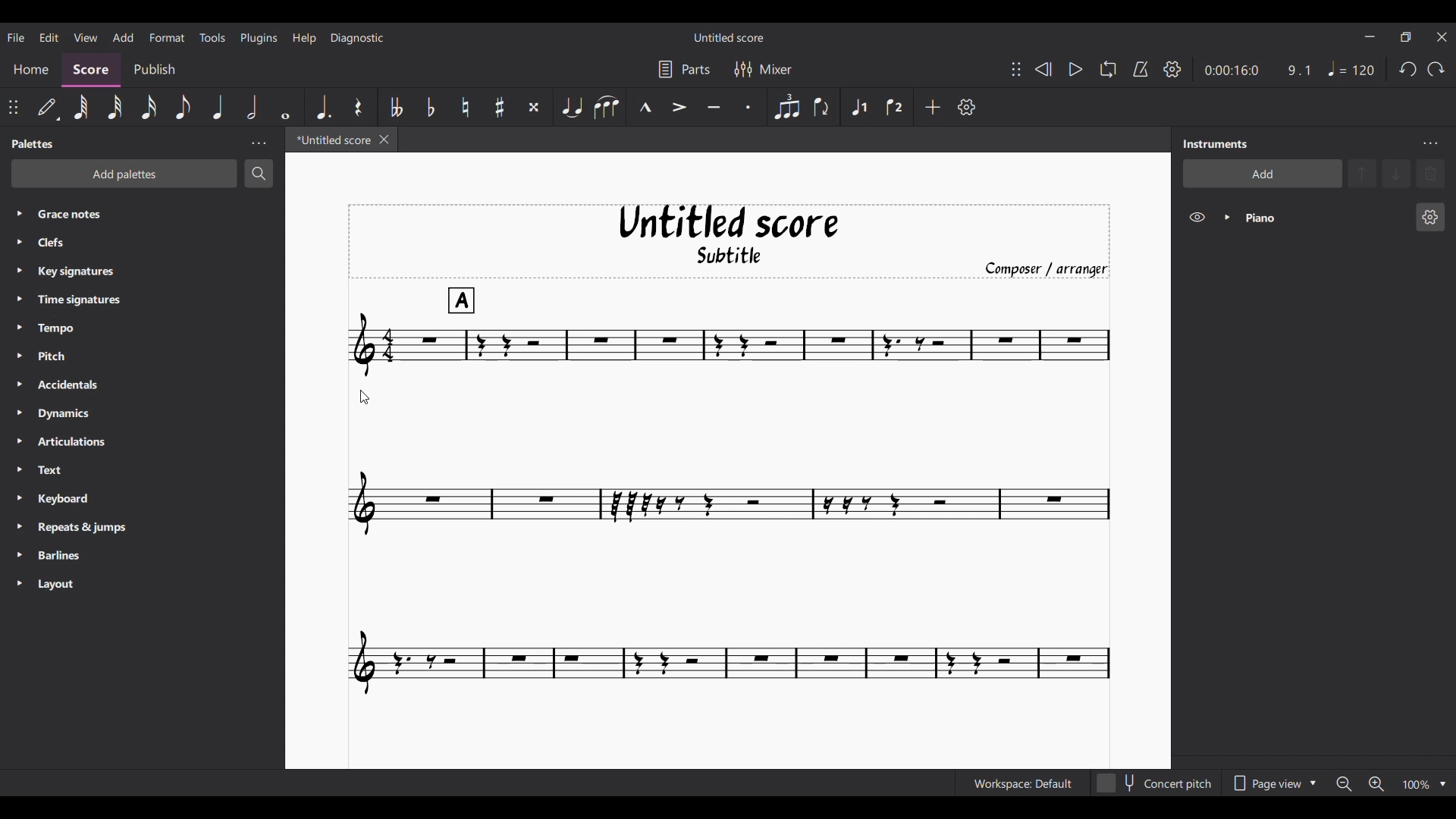  What do you see at coordinates (684, 69) in the screenshot?
I see `Parts` at bounding box center [684, 69].